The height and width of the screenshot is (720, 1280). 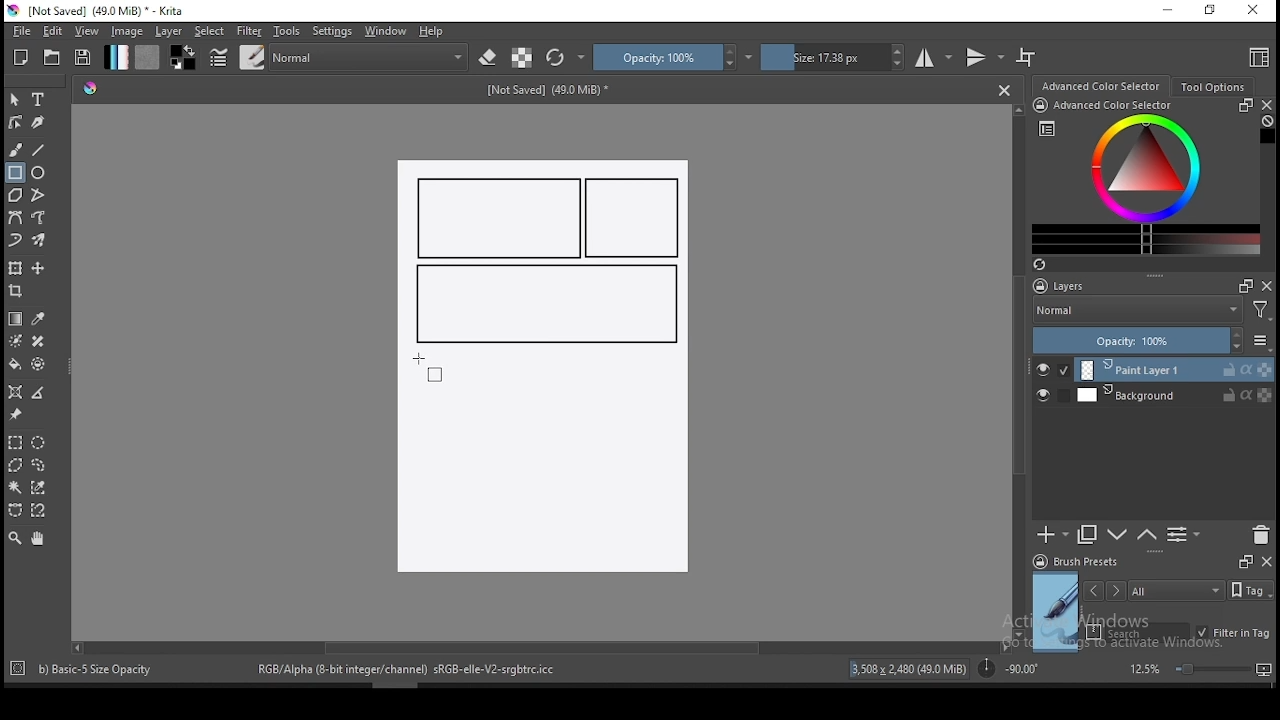 I want to click on reference images tool, so click(x=14, y=415).